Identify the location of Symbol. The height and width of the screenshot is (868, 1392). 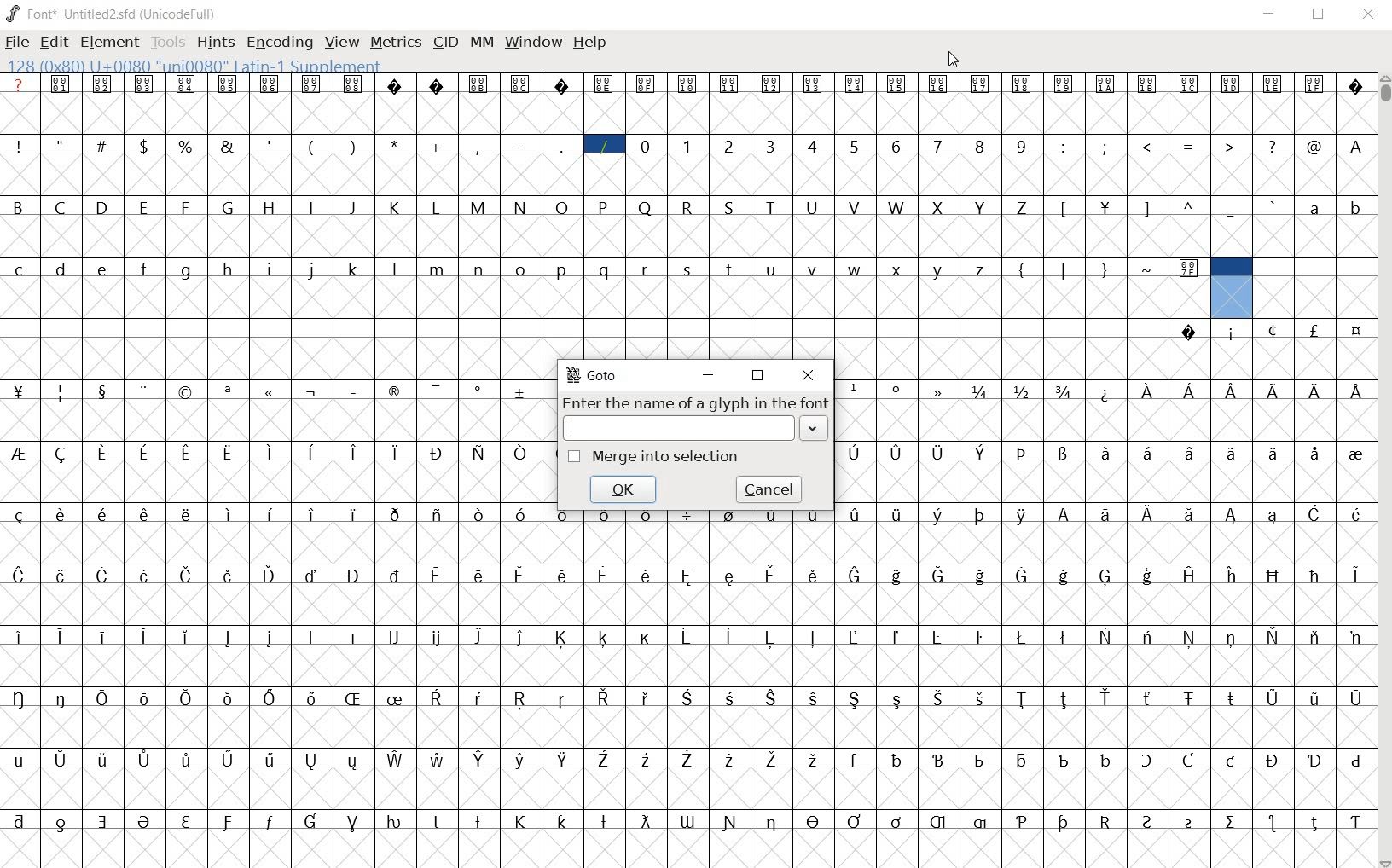
(644, 820).